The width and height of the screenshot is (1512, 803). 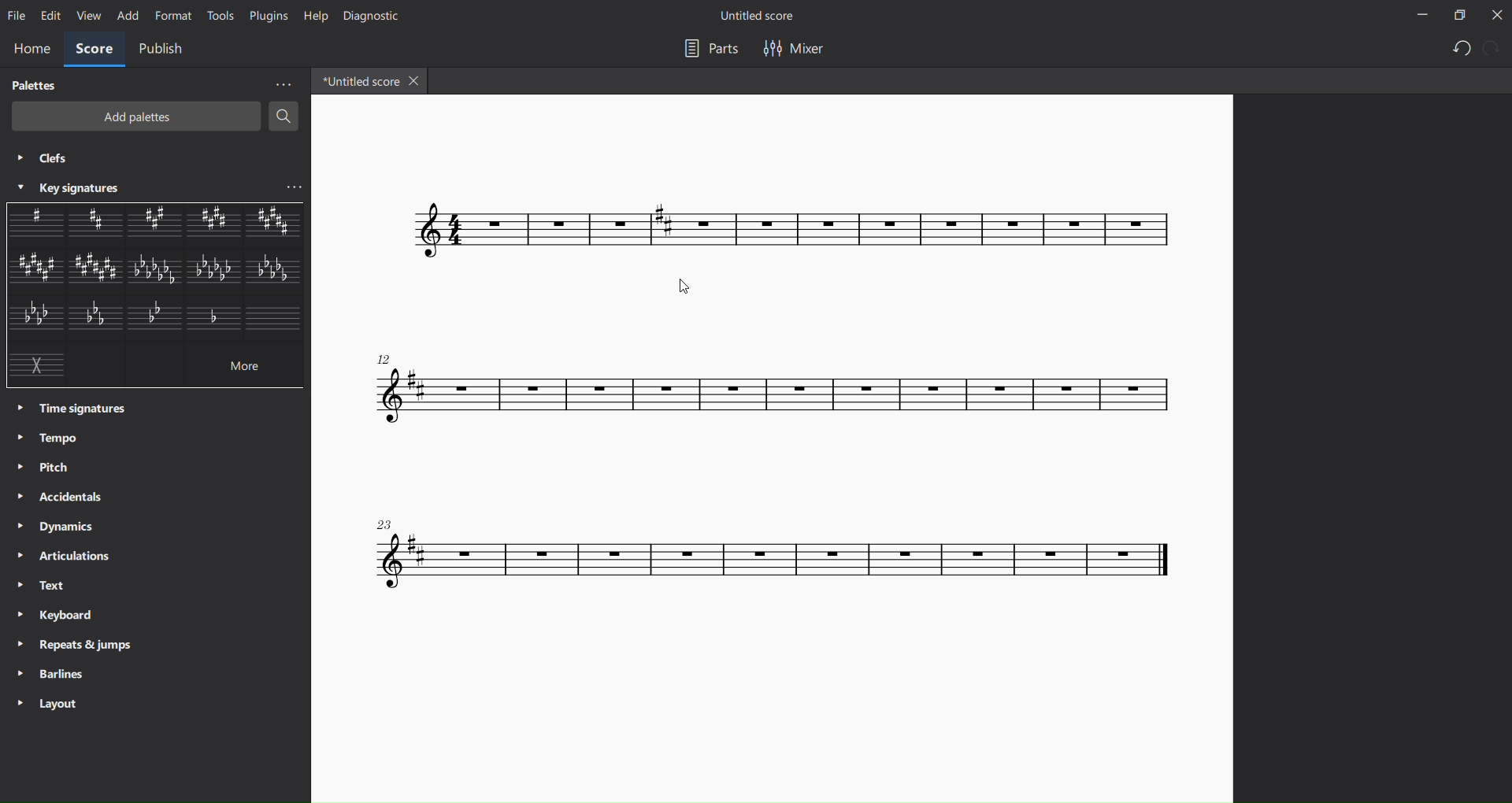 I want to click on view, so click(x=88, y=15).